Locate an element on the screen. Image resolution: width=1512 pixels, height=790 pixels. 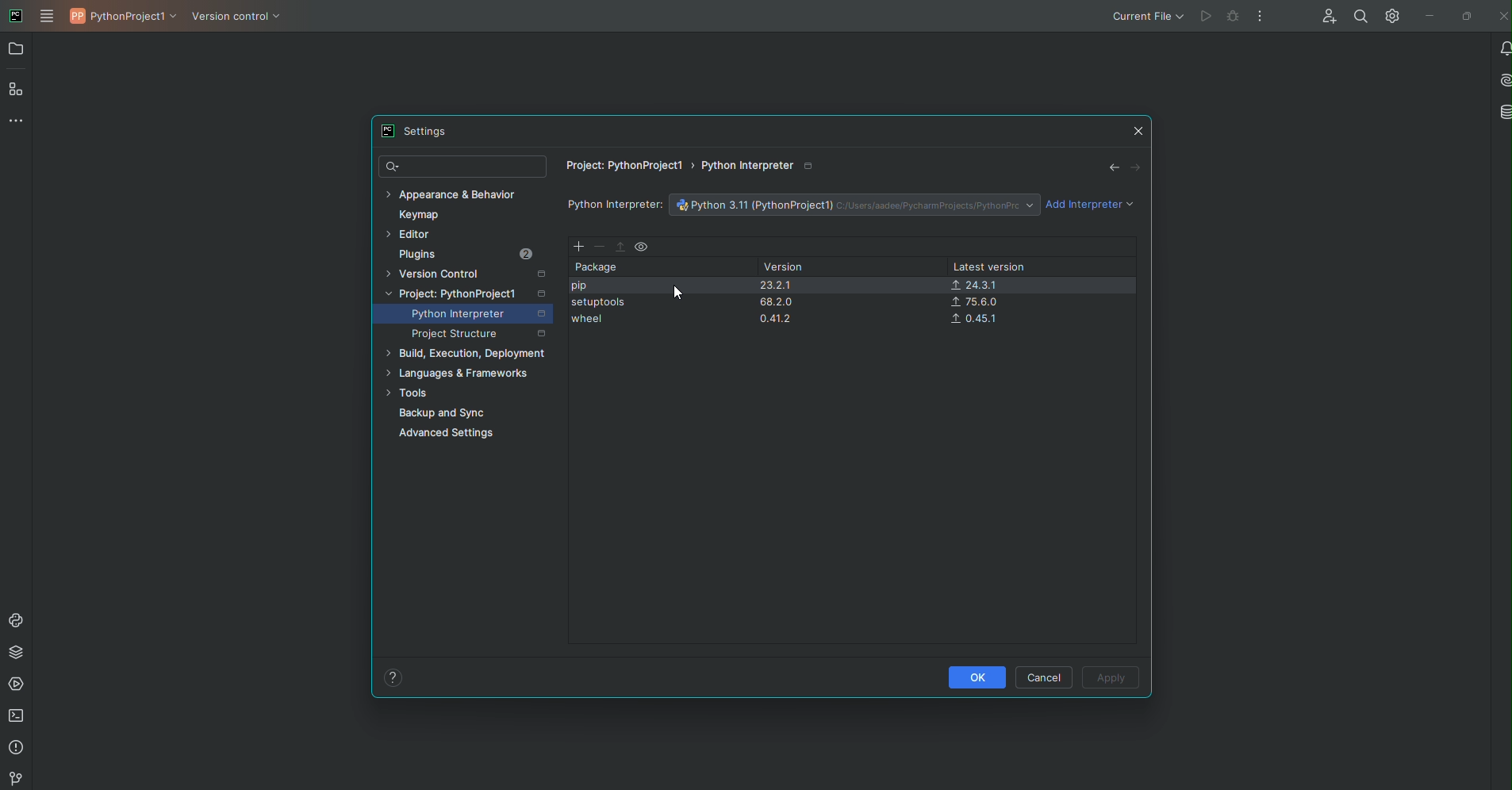
Code with me is located at coordinates (1328, 15).